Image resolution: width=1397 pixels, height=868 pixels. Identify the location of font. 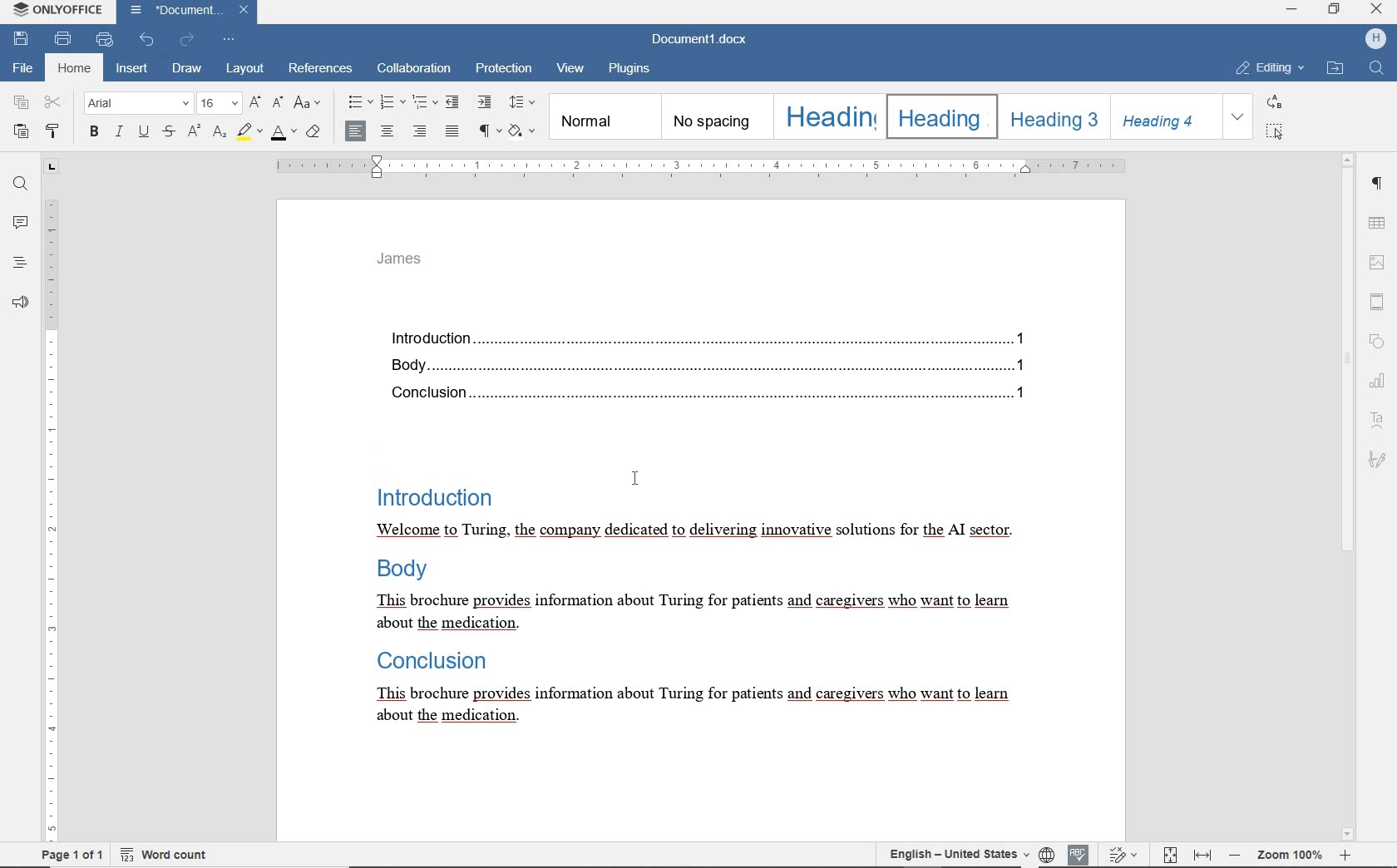
(139, 104).